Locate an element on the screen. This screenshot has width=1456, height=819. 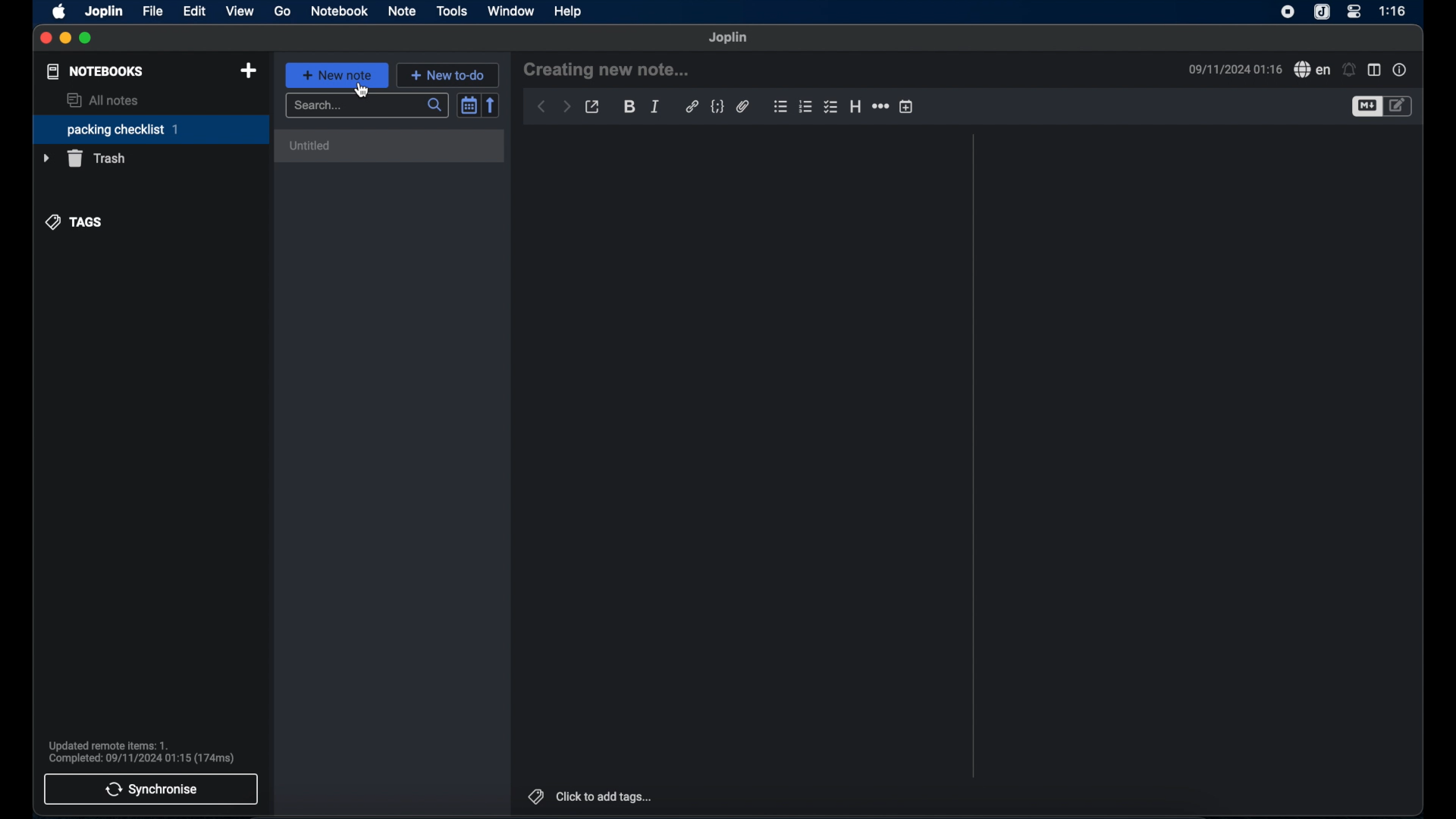
file is located at coordinates (154, 11).